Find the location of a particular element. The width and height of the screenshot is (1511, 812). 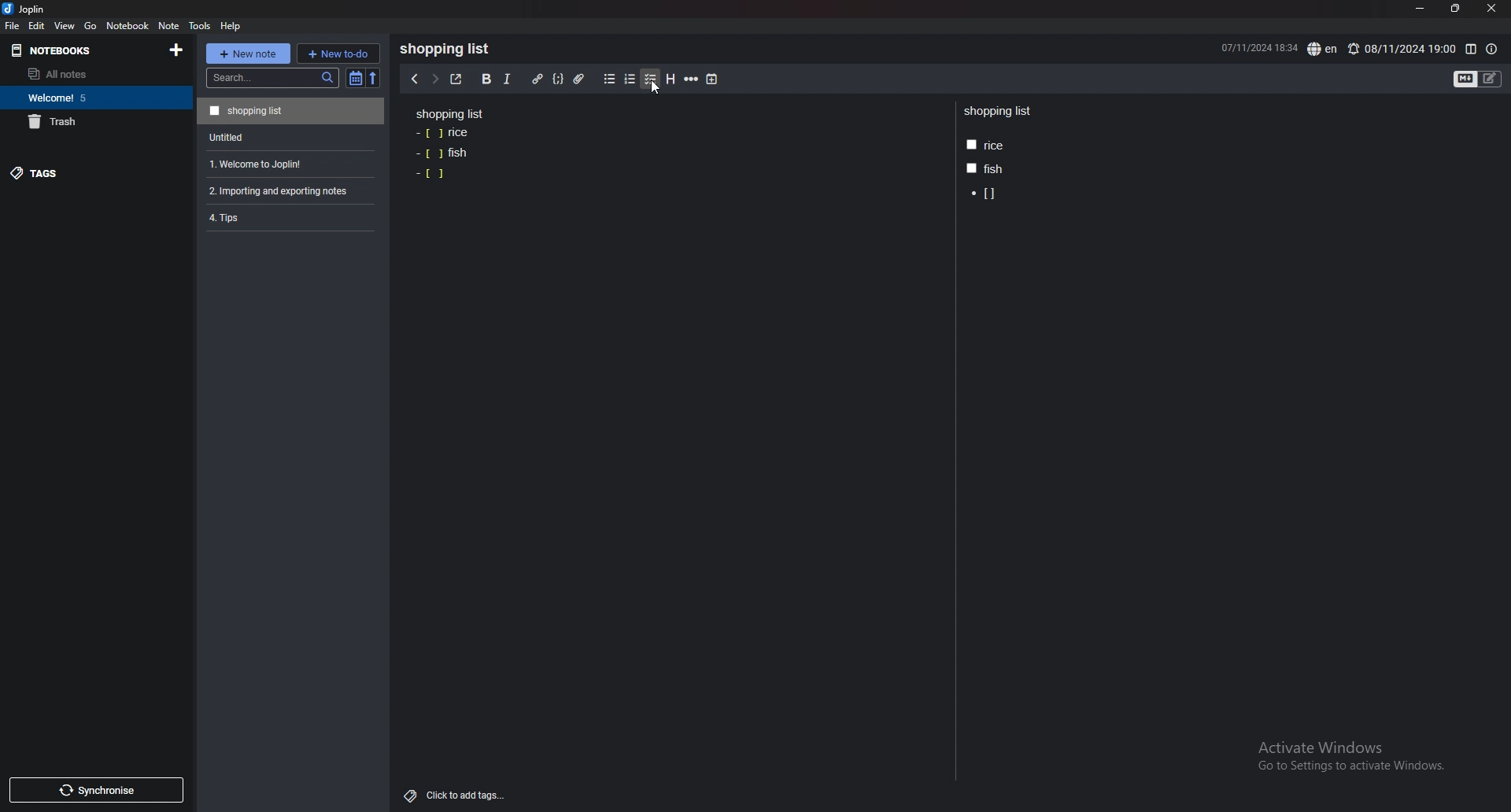

minimize is located at coordinates (1420, 9).